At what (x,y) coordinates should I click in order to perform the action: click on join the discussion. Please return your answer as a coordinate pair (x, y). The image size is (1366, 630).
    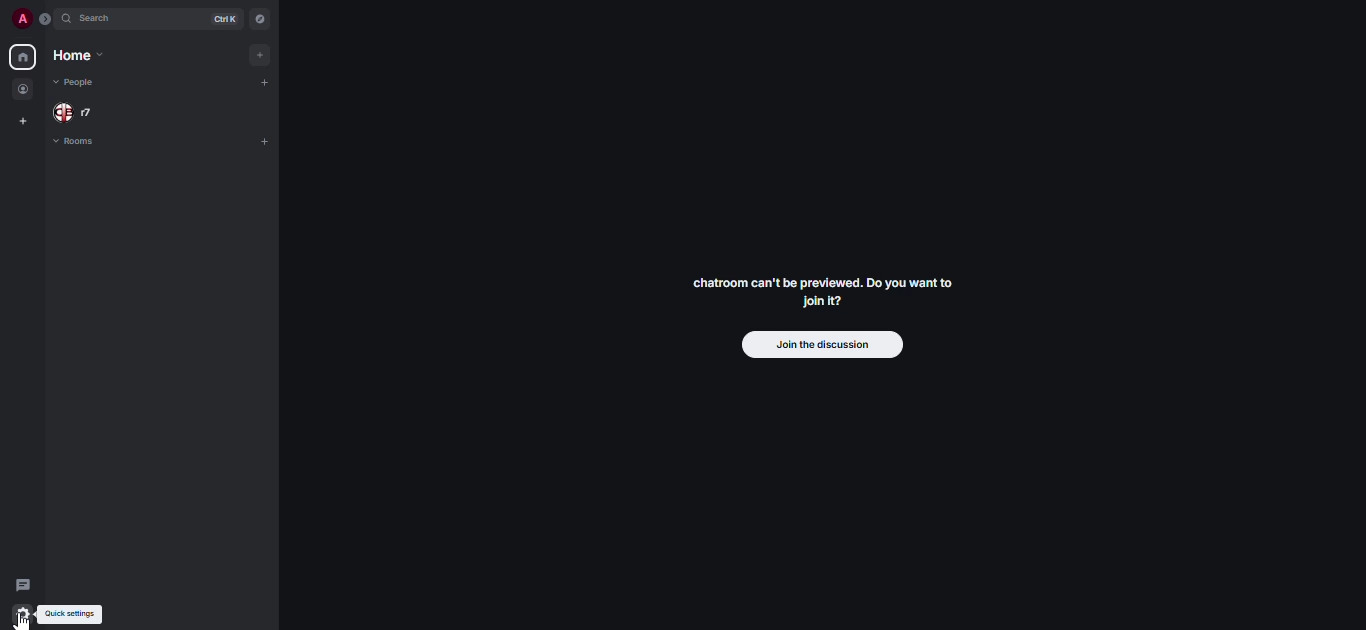
    Looking at the image, I should click on (820, 346).